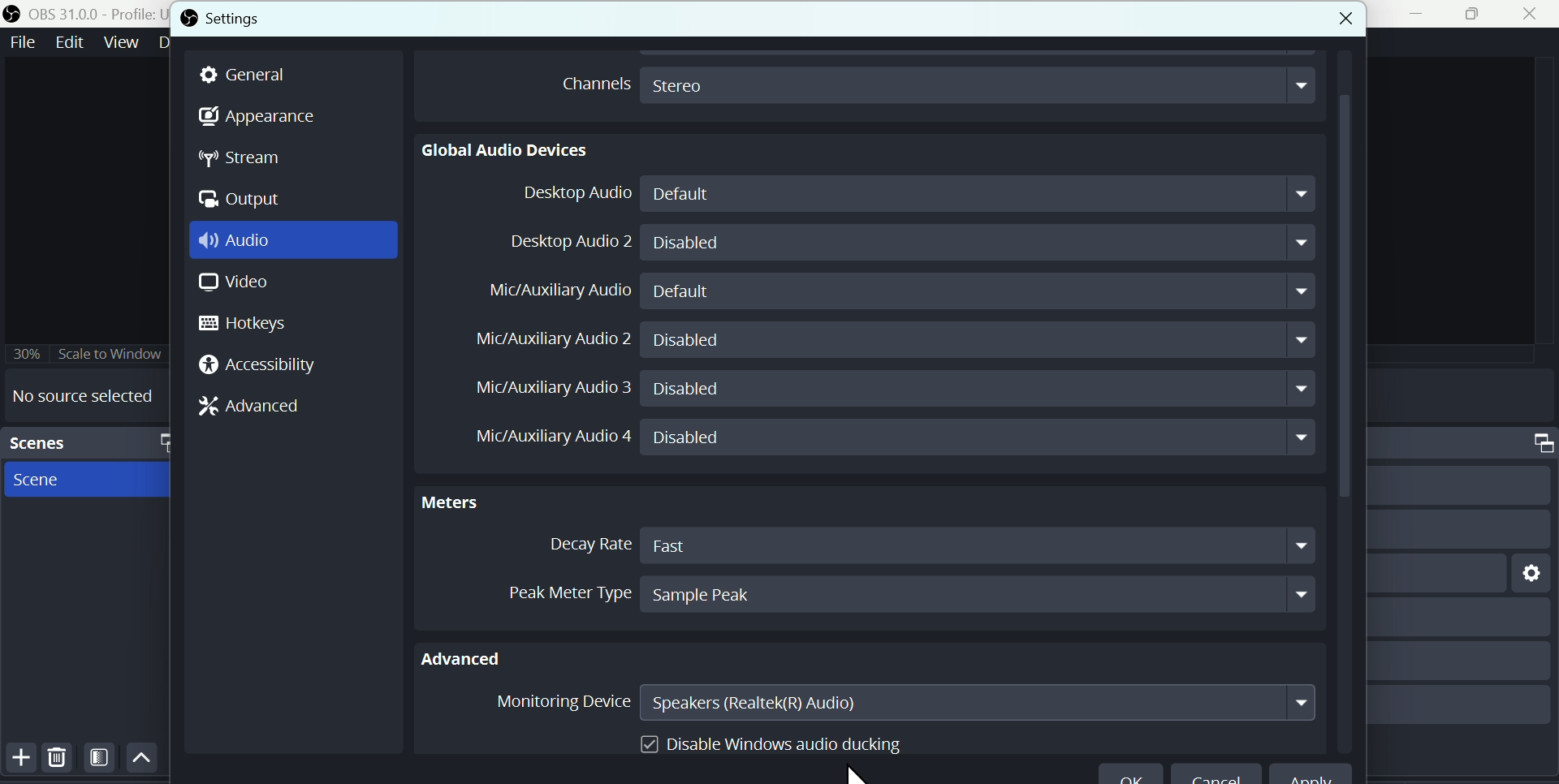  I want to click on Scene, so click(46, 482).